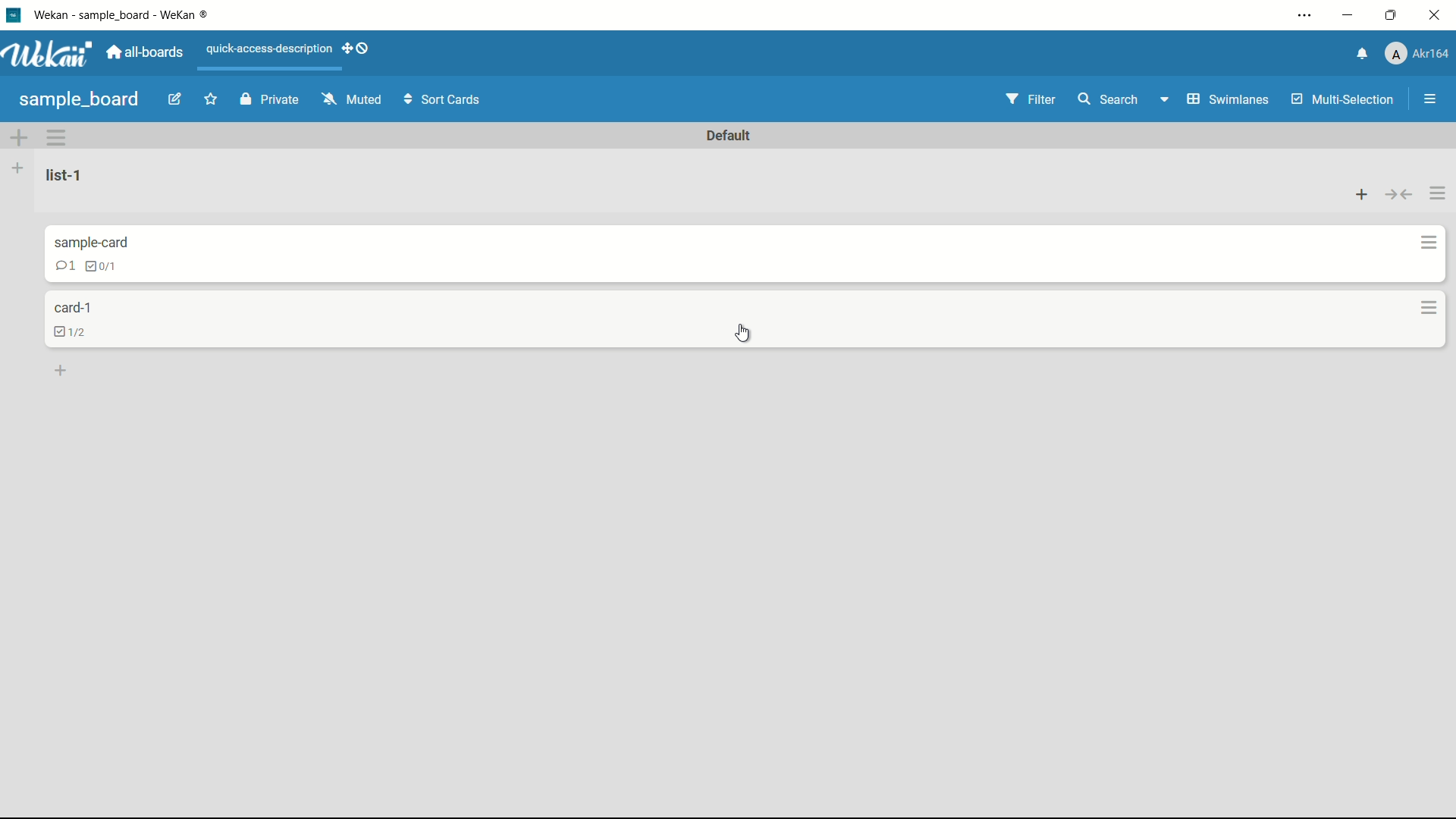 The width and height of the screenshot is (1456, 819). Describe the element at coordinates (17, 168) in the screenshot. I see `add list` at that location.